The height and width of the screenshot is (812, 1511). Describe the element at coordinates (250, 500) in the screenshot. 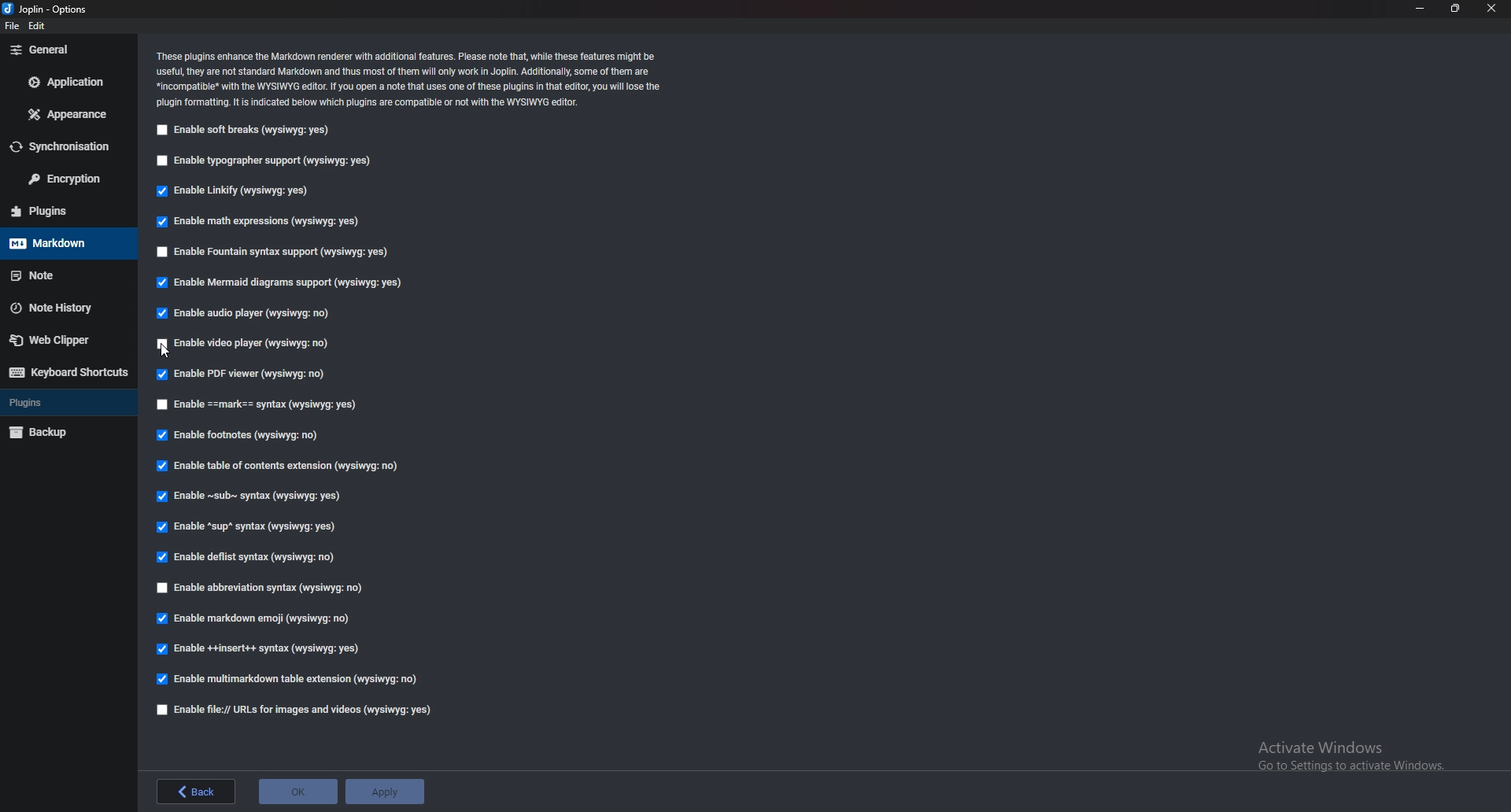

I see `enable sub syntax` at that location.